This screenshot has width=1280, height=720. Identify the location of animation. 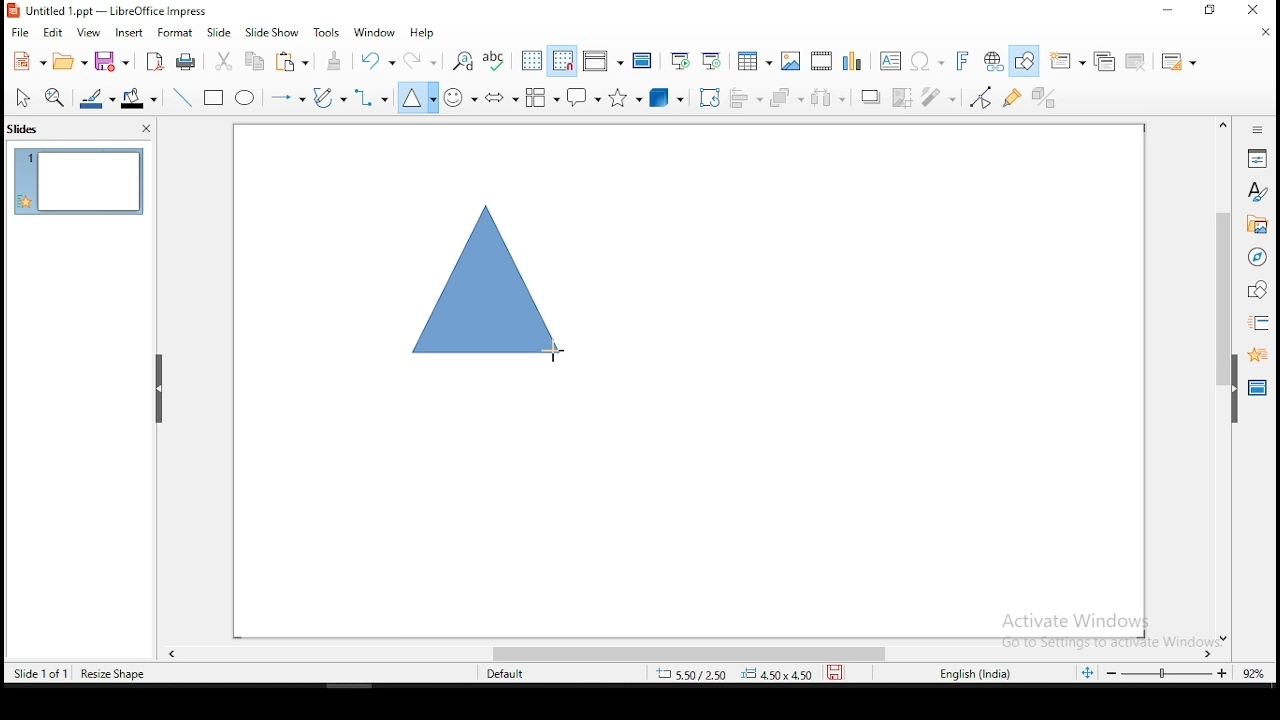
(1256, 355).